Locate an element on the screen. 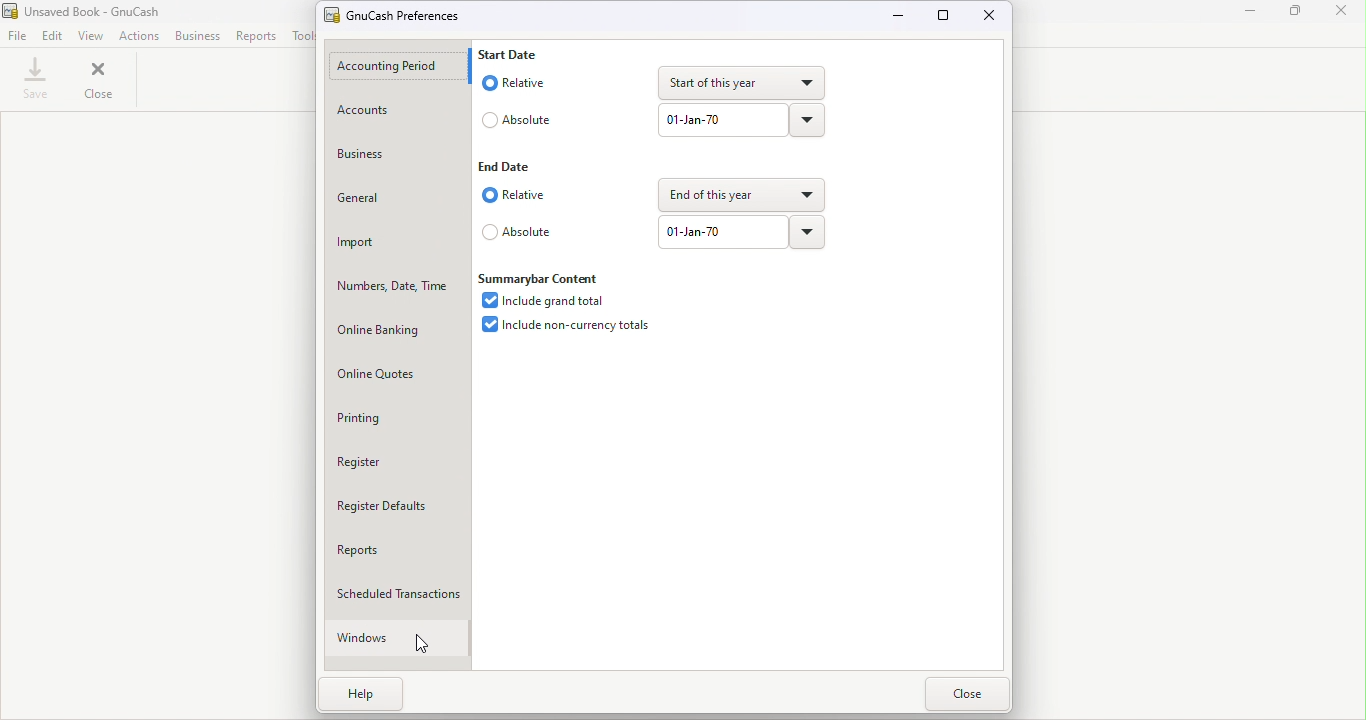 This screenshot has height=720, width=1366. Actions is located at coordinates (139, 36).